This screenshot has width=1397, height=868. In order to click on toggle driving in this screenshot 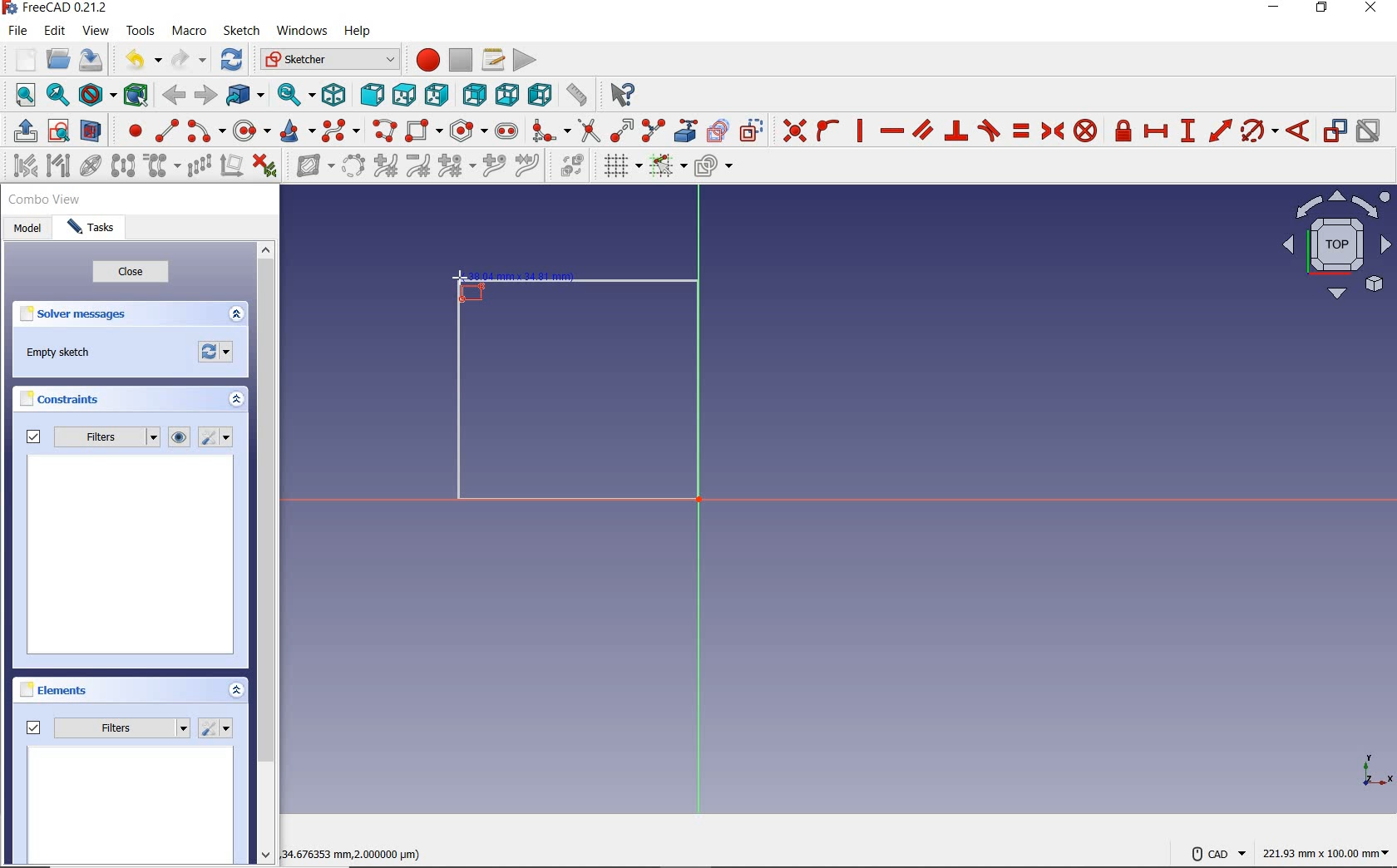, I will do `click(1335, 131)`.